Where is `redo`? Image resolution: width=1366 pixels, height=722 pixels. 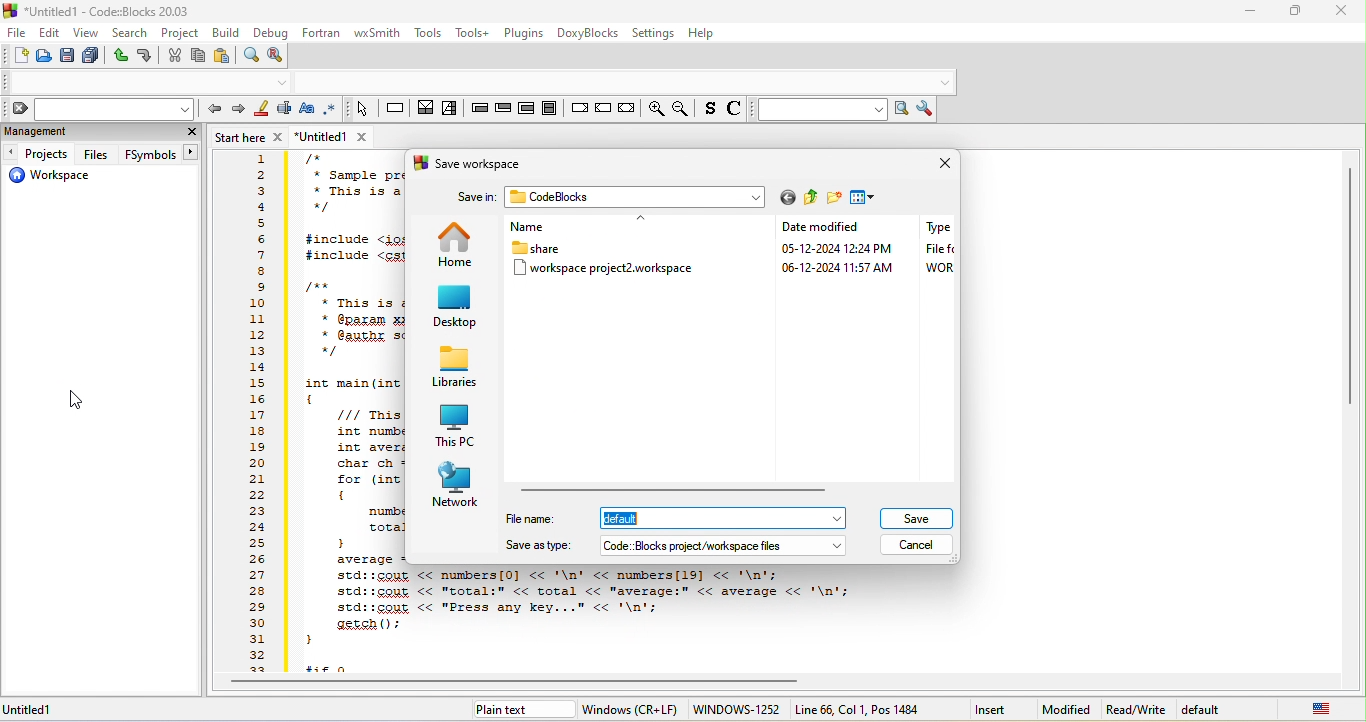 redo is located at coordinates (146, 58).